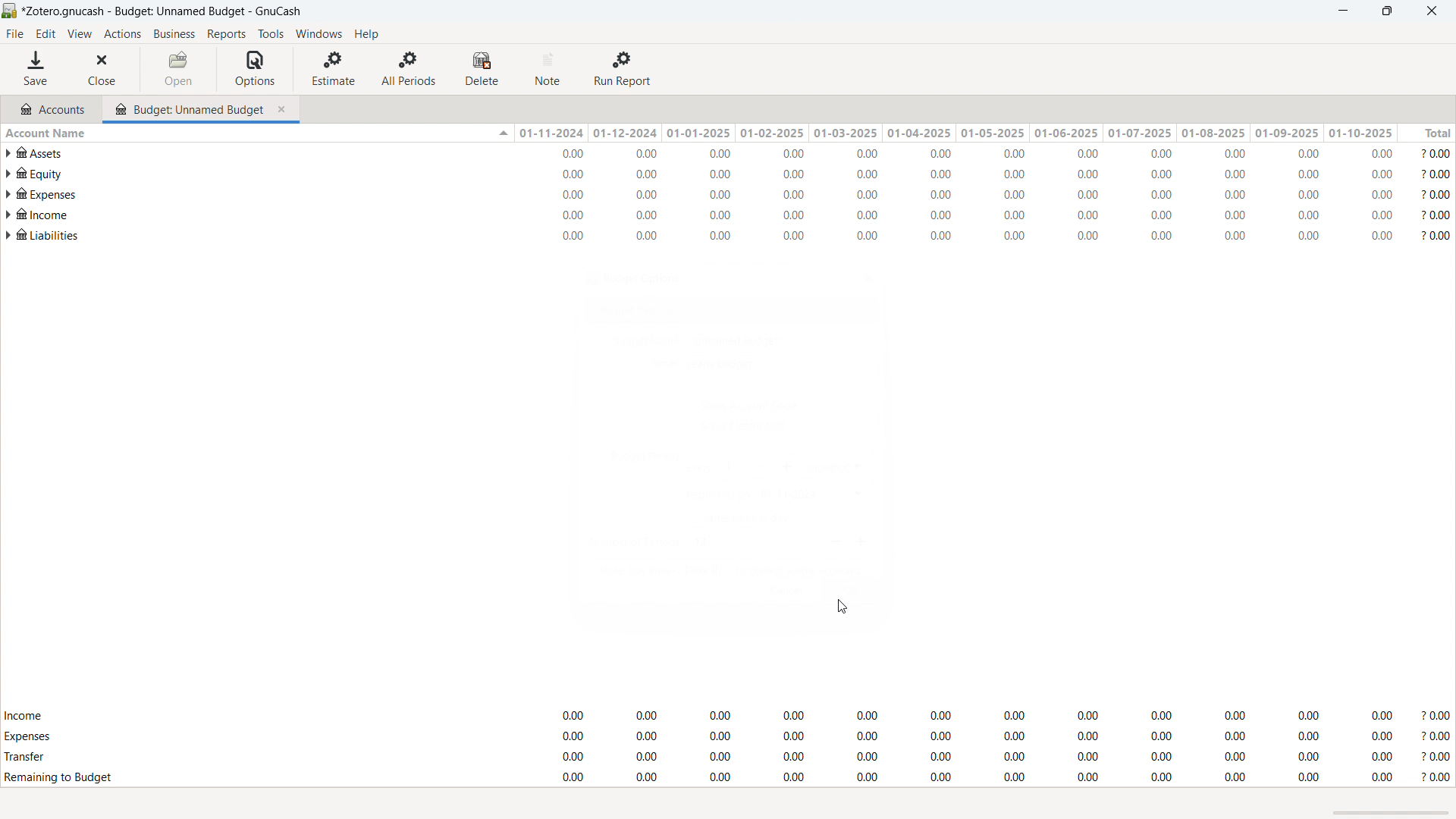 The height and width of the screenshot is (819, 1456). I want to click on sort by account name, so click(256, 132).